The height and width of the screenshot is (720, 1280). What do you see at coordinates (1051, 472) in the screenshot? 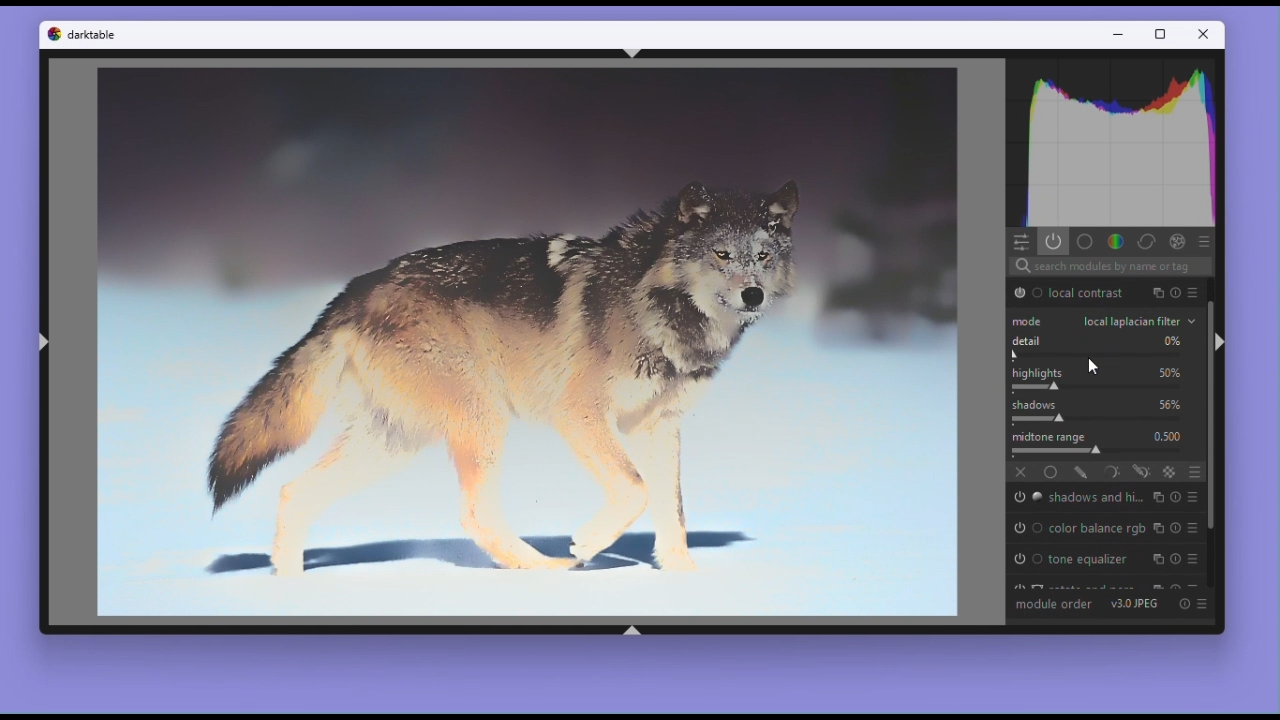
I see `Uniformly` at bounding box center [1051, 472].